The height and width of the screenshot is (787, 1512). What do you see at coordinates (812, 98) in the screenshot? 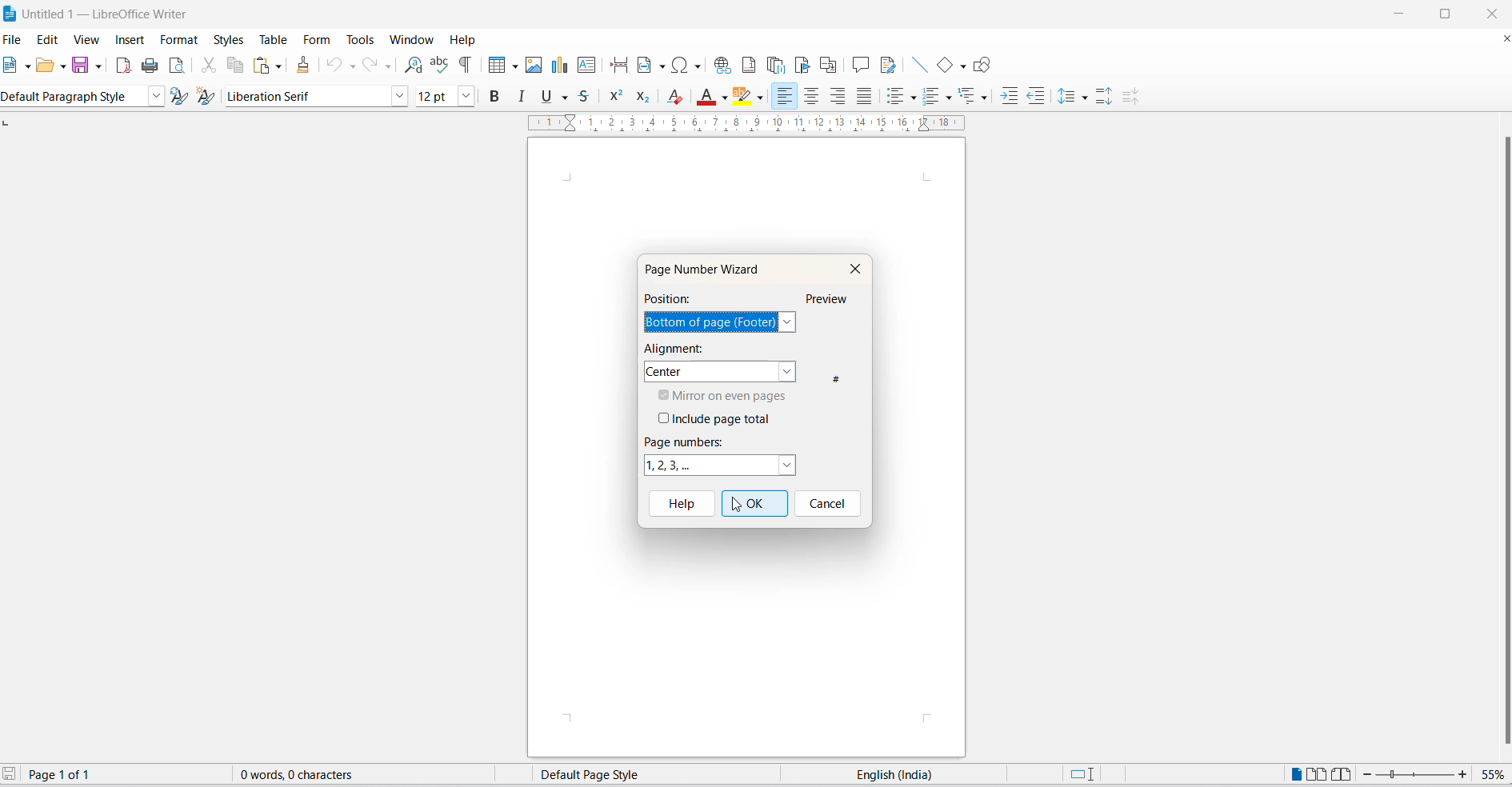
I see `text align center` at bounding box center [812, 98].